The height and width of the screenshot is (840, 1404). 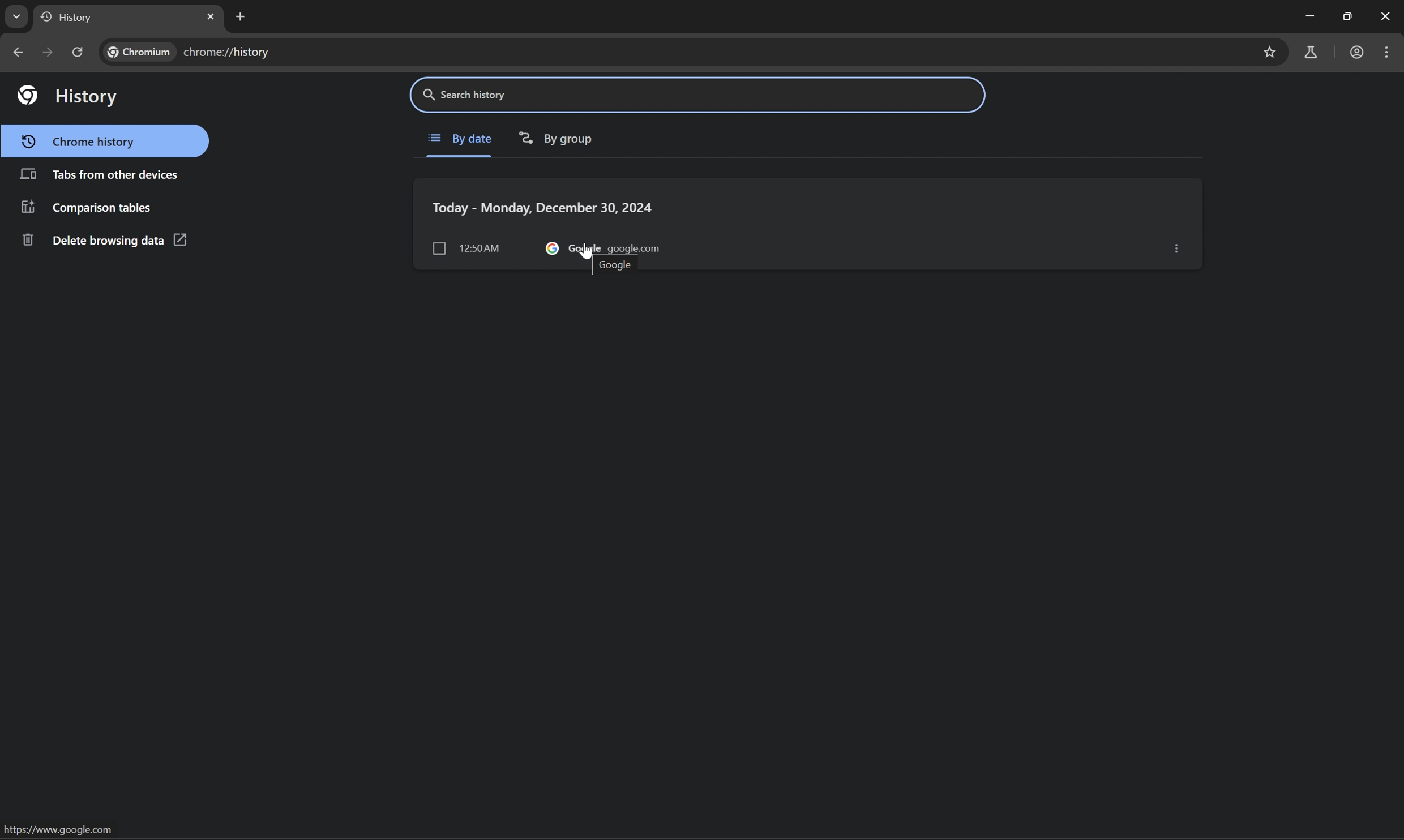 I want to click on minimize, so click(x=1308, y=16).